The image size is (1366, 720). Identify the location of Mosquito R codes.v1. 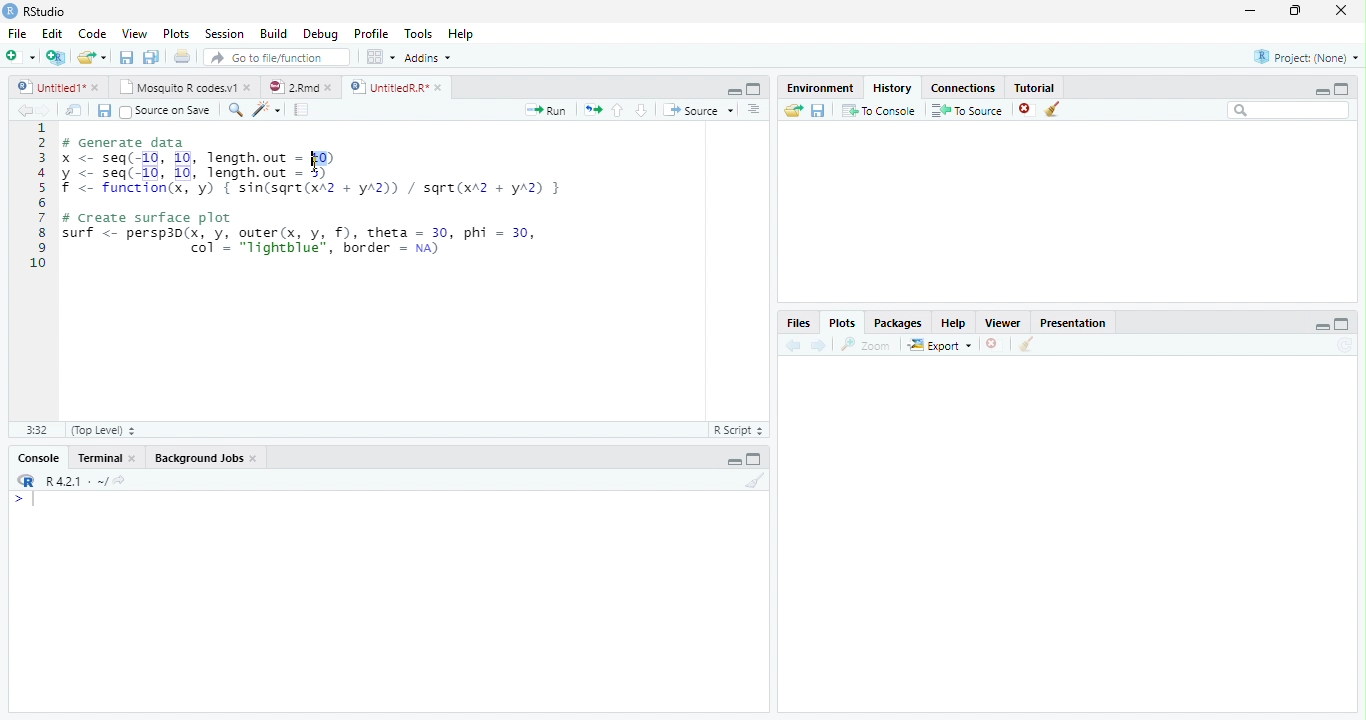
(175, 87).